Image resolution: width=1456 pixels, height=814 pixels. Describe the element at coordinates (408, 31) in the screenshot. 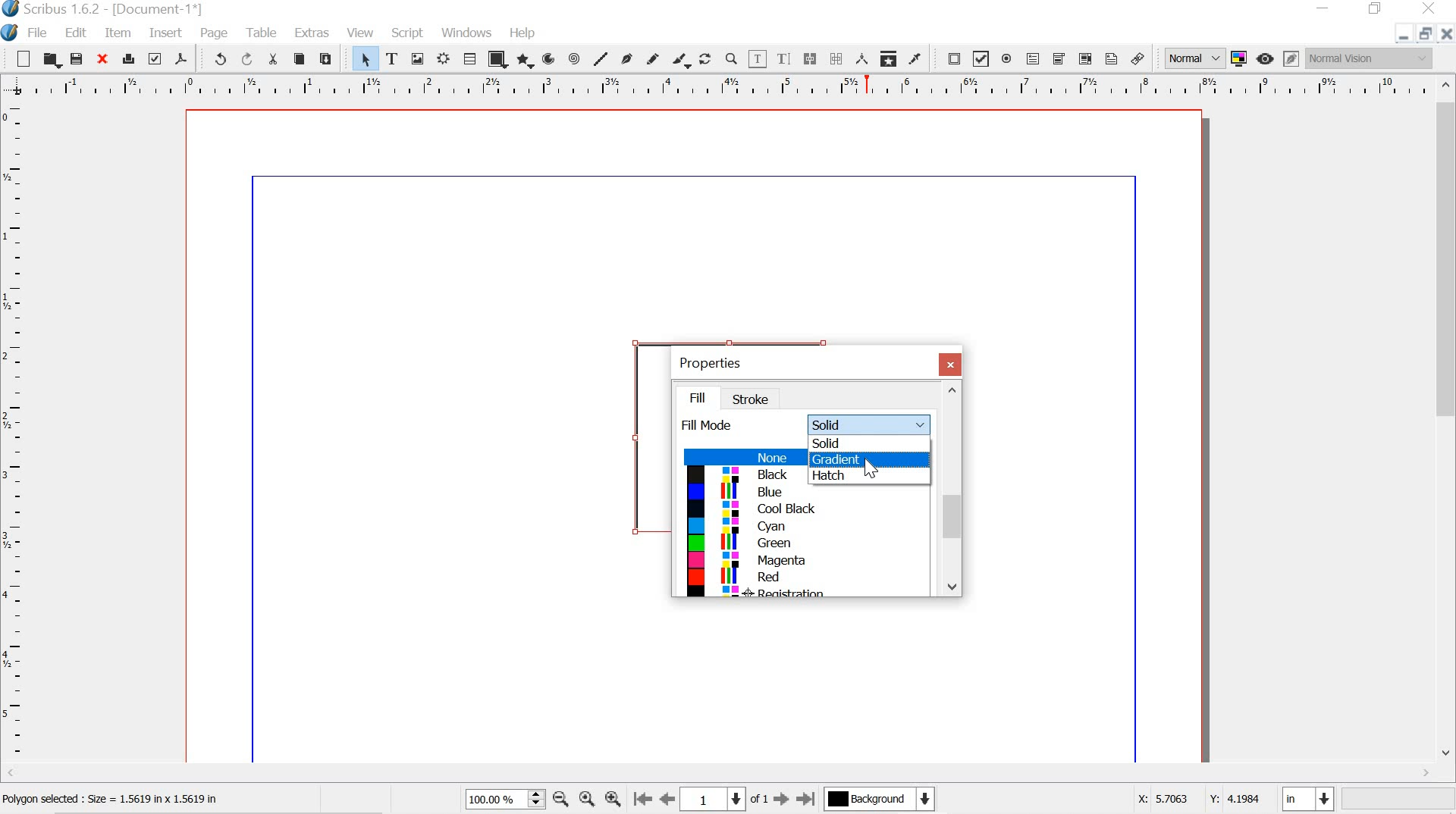

I see `script` at that location.